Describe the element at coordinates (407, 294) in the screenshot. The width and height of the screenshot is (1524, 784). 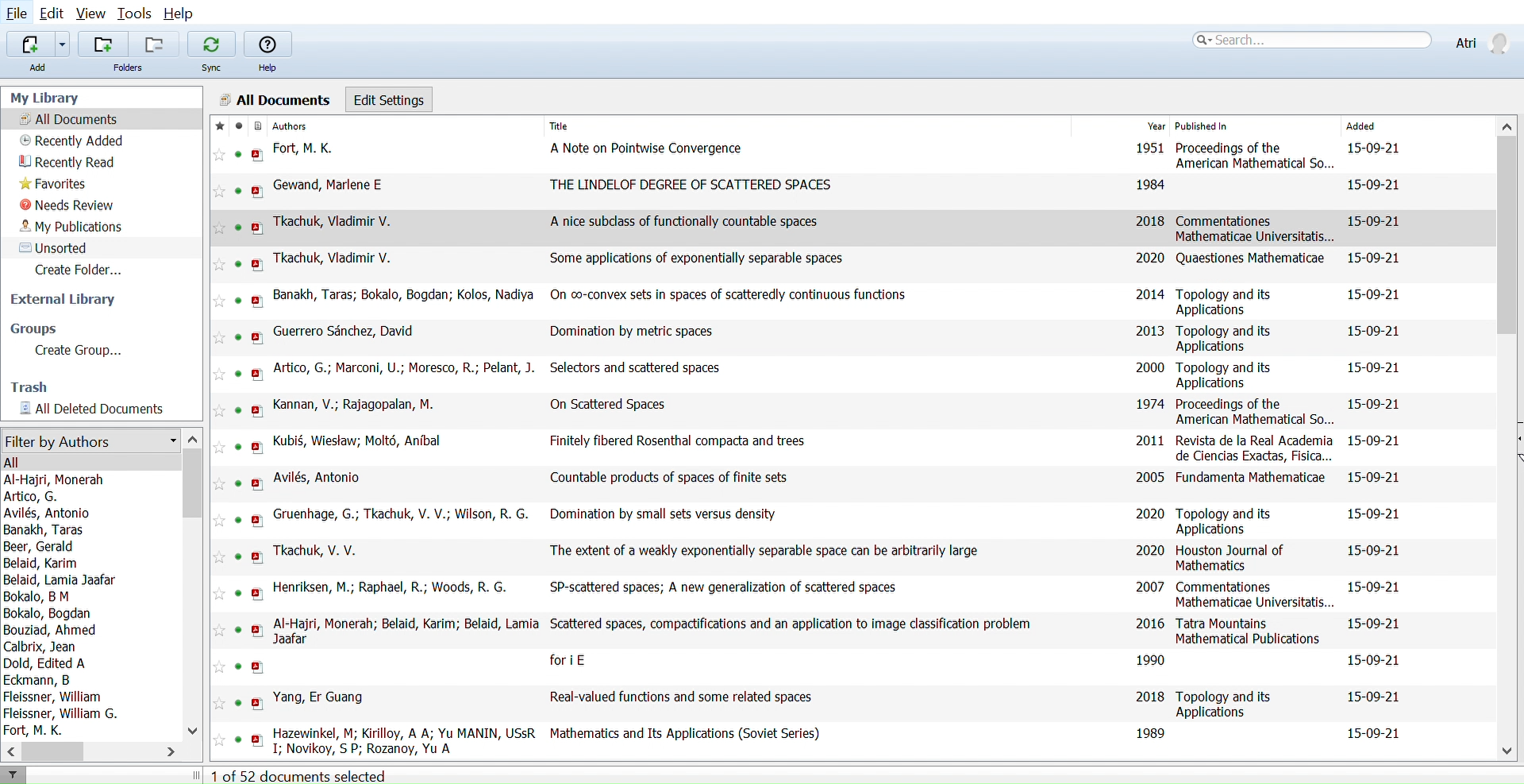
I see `Banakh, Taras; Bokalo, Bogdan; Kolos, Nadiya` at that location.